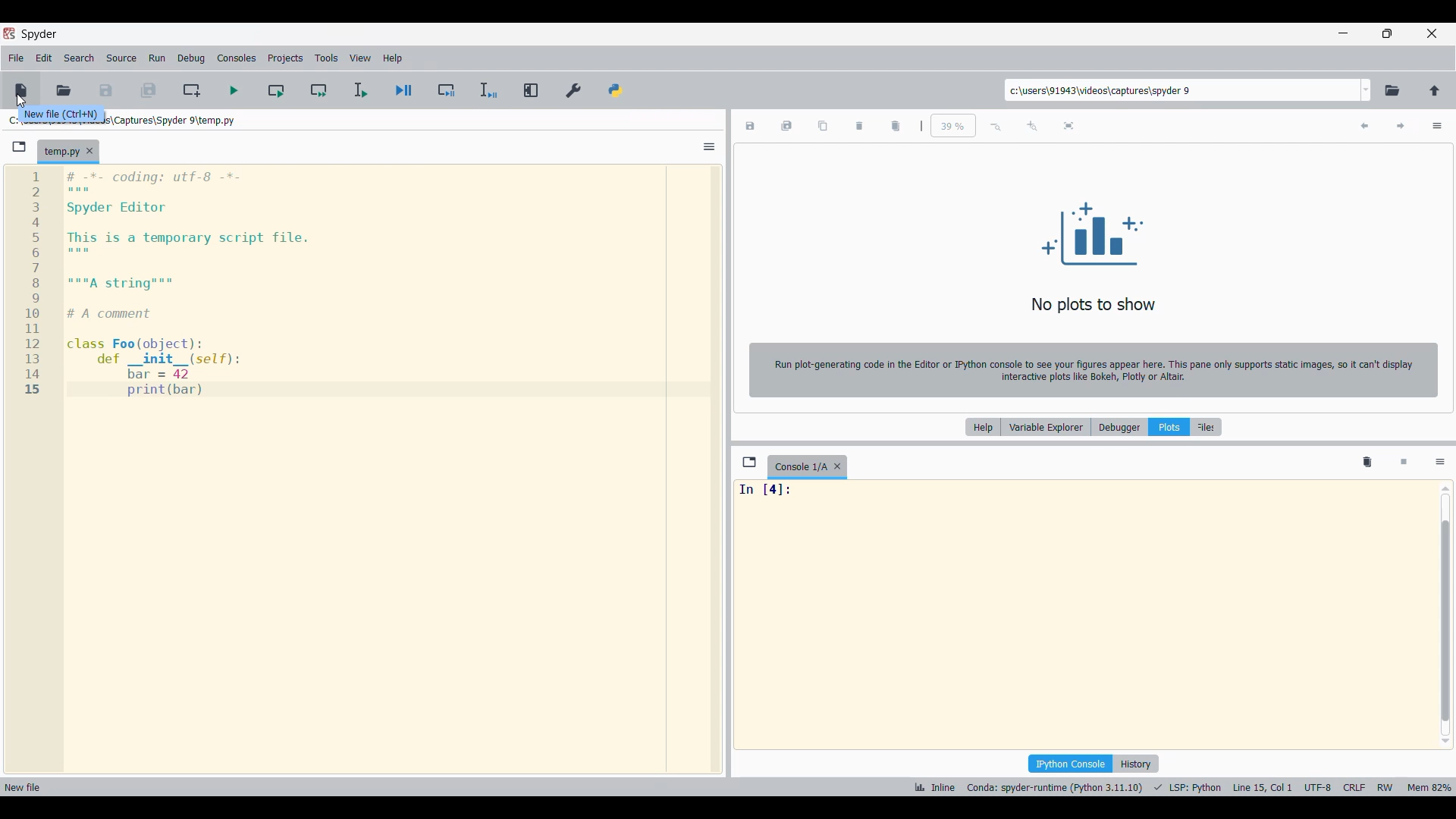 Image resolution: width=1456 pixels, height=819 pixels. Describe the element at coordinates (1053, 787) in the screenshot. I see `interpreter` at that location.